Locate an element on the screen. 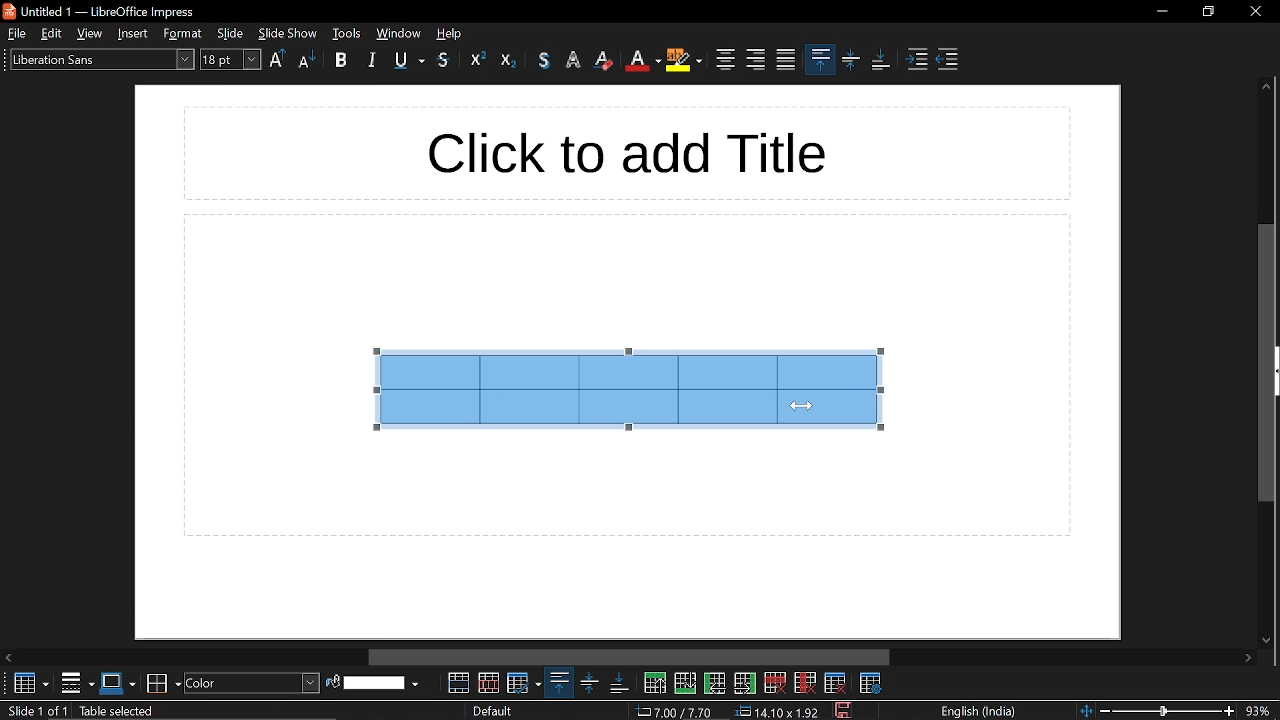 The width and height of the screenshot is (1280, 720). highlight is located at coordinates (574, 58).